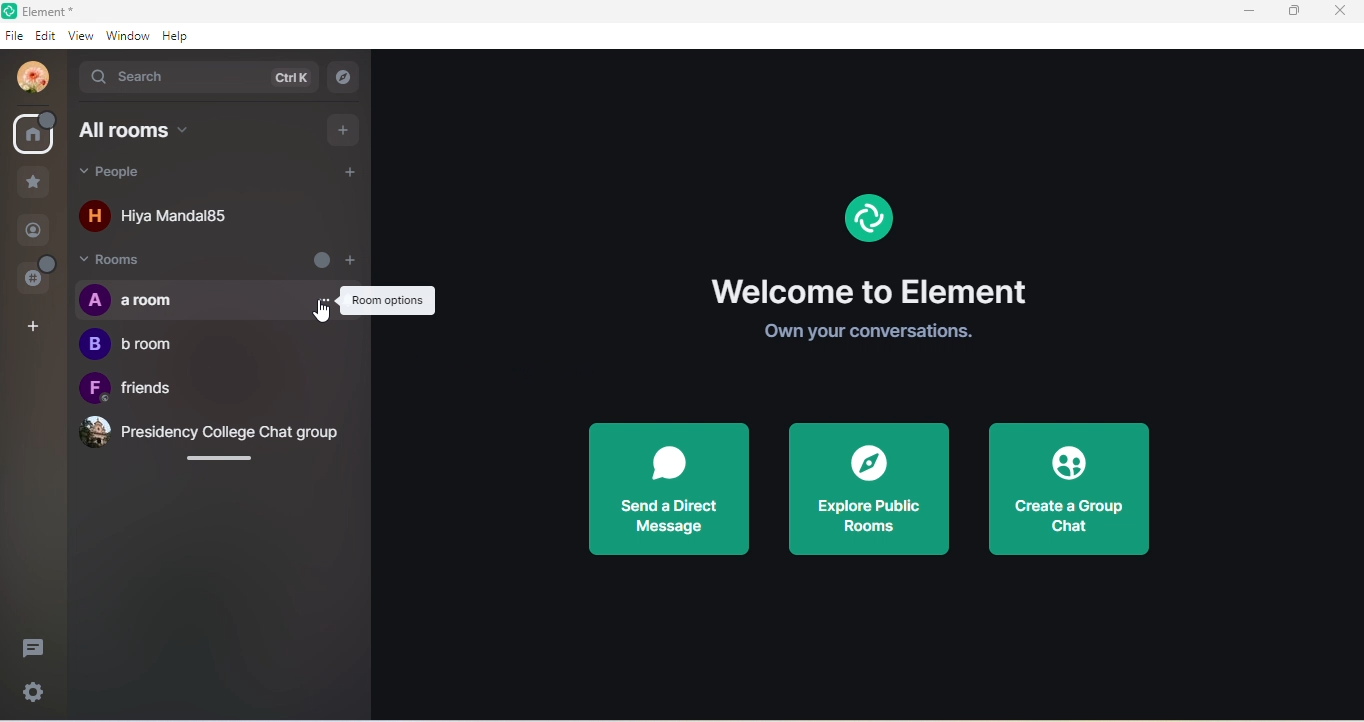  What do you see at coordinates (326, 310) in the screenshot?
I see `cursor` at bounding box center [326, 310].